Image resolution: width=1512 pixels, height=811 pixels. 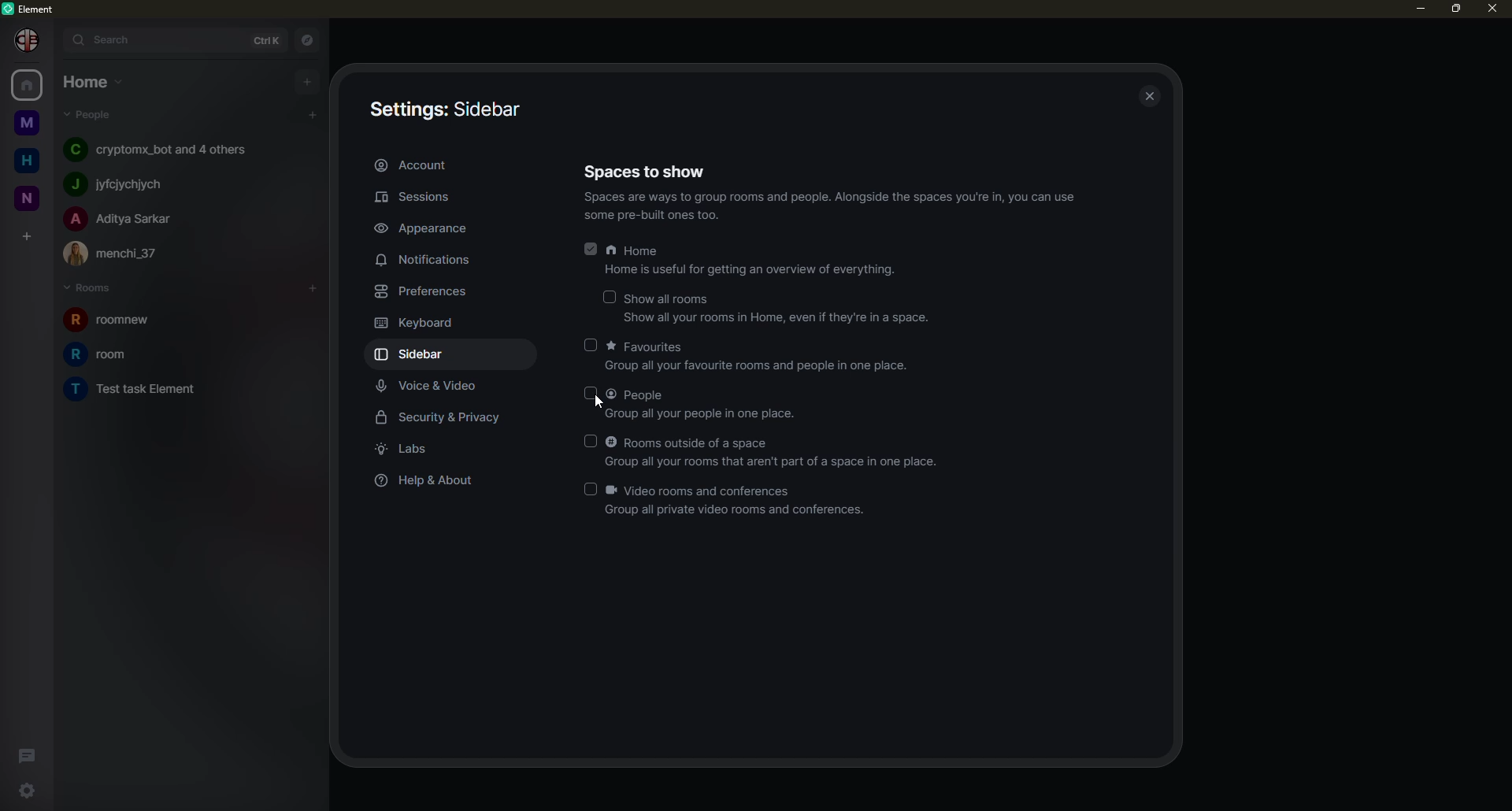 What do you see at coordinates (28, 754) in the screenshot?
I see `threads` at bounding box center [28, 754].